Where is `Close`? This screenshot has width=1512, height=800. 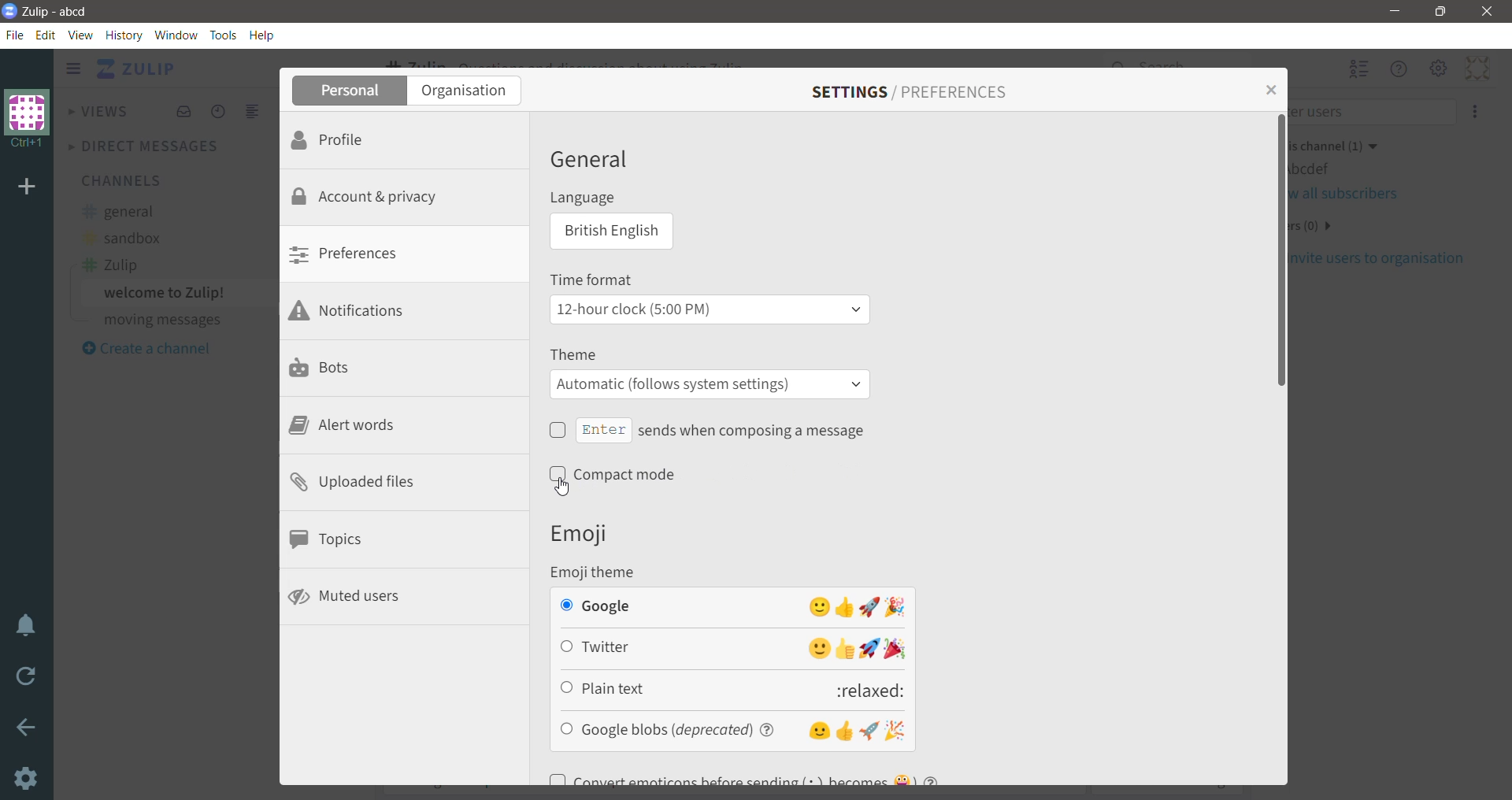 Close is located at coordinates (1490, 11).